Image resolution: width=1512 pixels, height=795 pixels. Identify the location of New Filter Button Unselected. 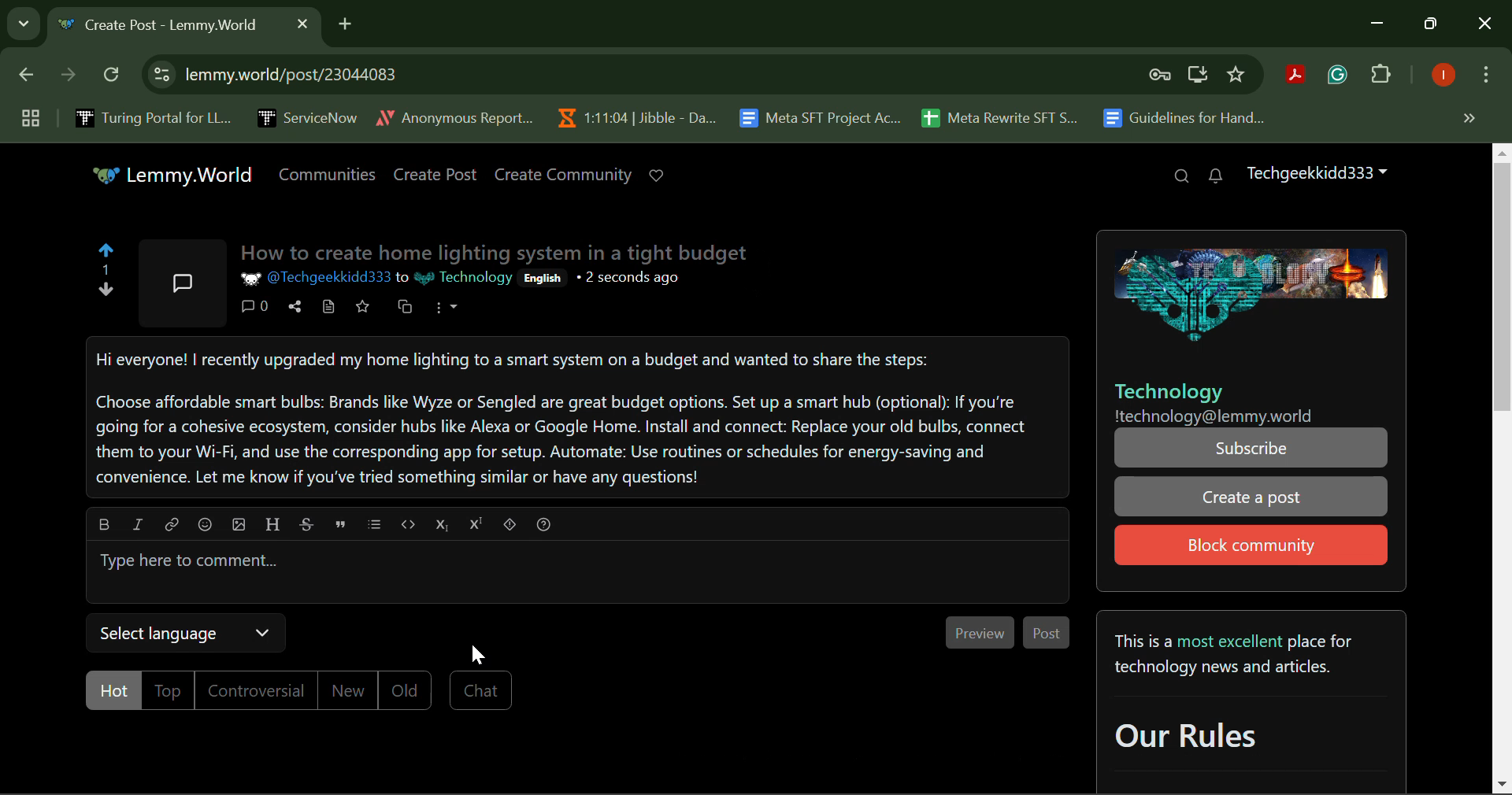
(345, 690).